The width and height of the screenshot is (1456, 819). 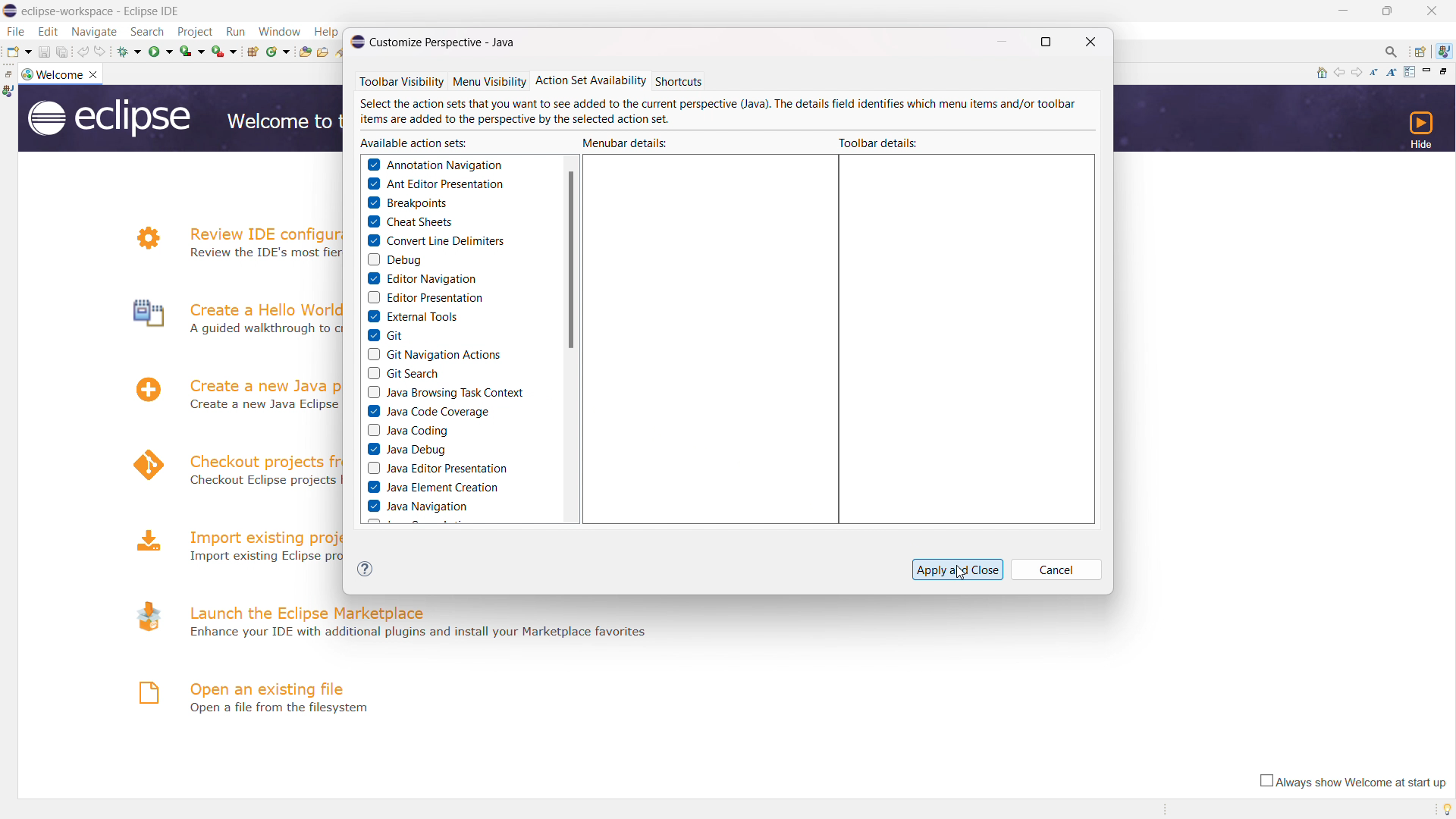 What do you see at coordinates (234, 32) in the screenshot?
I see `run` at bounding box center [234, 32].